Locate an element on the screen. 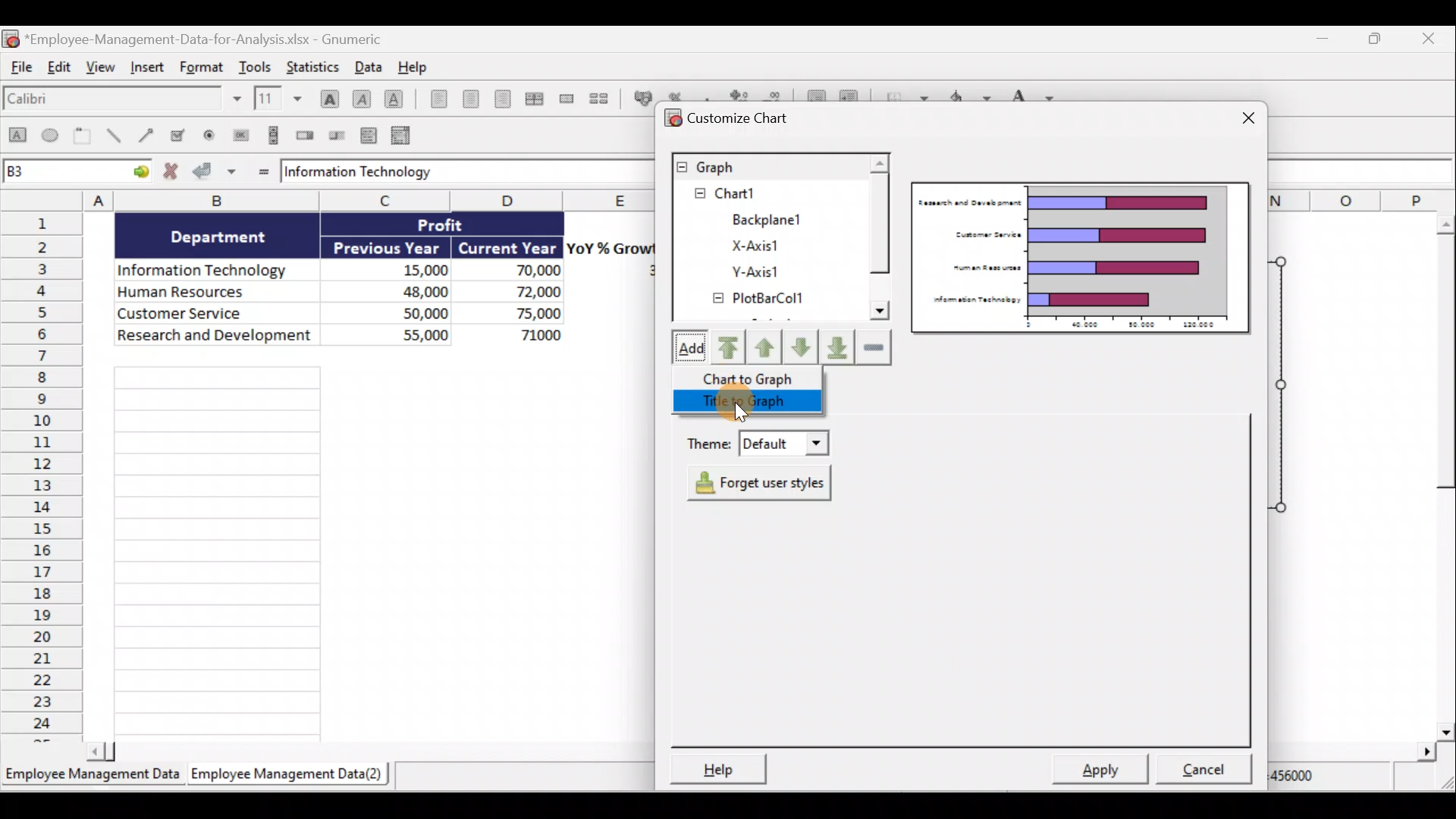 Image resolution: width=1456 pixels, height=819 pixels. Move down is located at coordinates (802, 346).